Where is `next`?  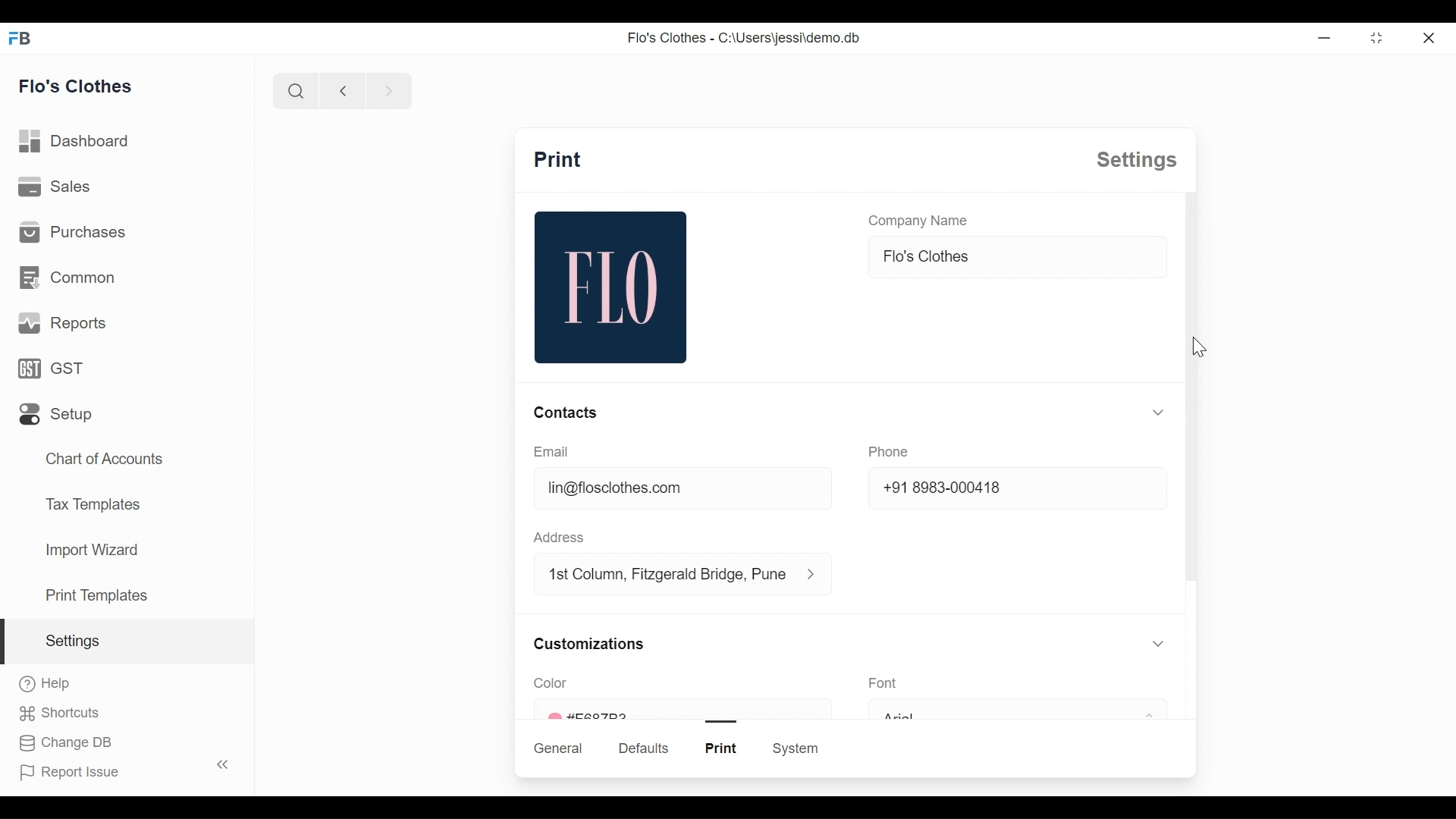 next is located at coordinates (390, 90).